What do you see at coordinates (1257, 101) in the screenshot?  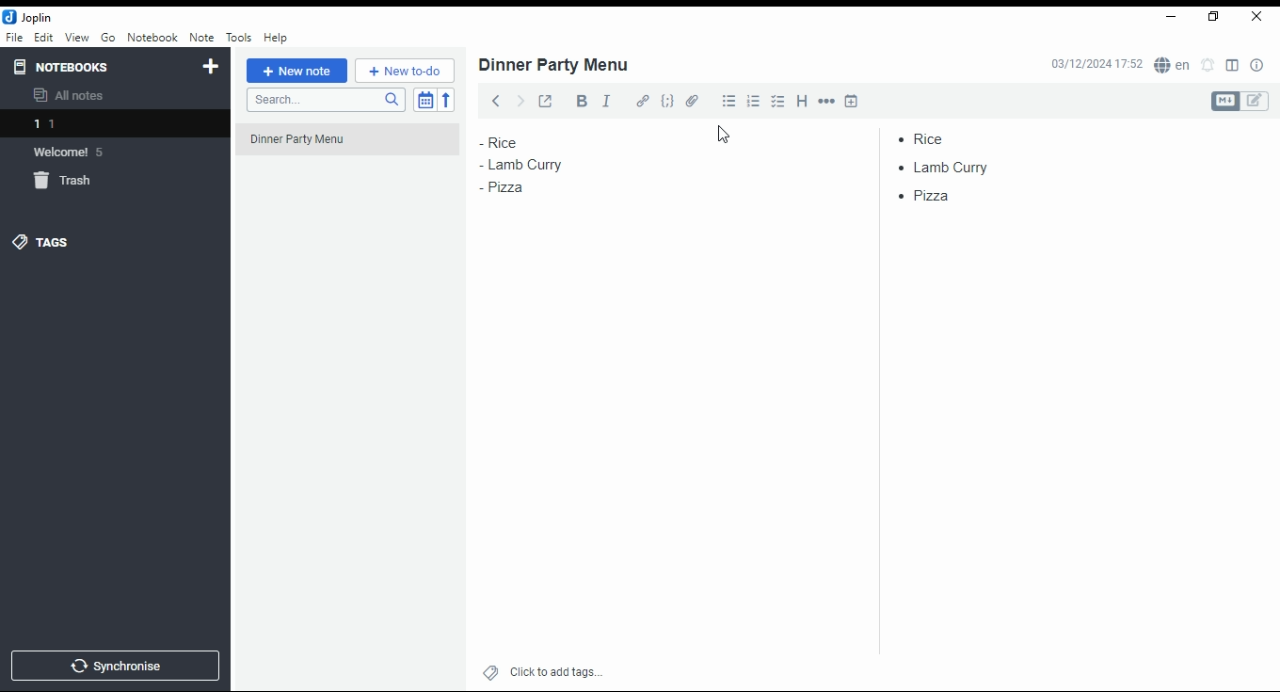 I see `edit` at bounding box center [1257, 101].